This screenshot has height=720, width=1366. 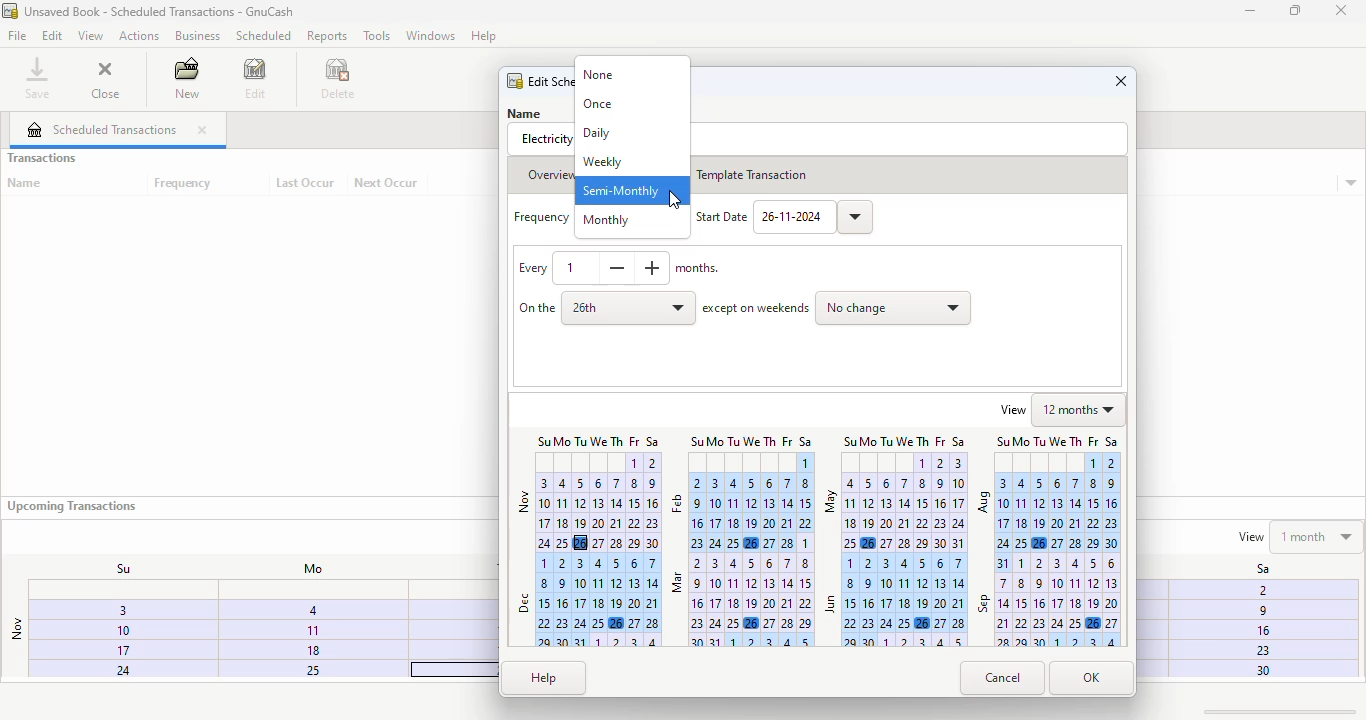 What do you see at coordinates (1258, 613) in the screenshot?
I see `9` at bounding box center [1258, 613].